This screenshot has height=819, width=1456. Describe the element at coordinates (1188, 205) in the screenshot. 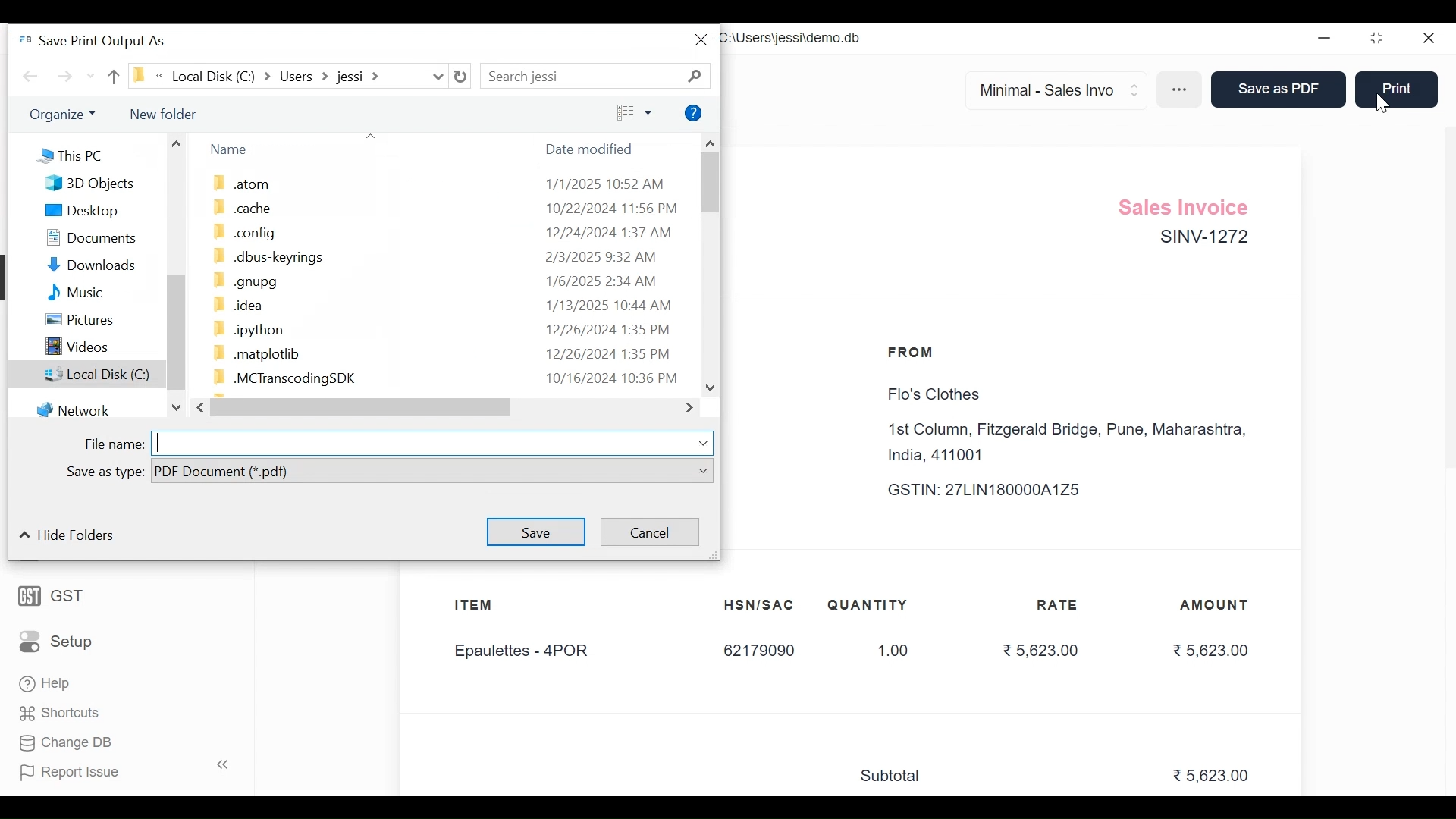

I see `Sales Invoice` at that location.